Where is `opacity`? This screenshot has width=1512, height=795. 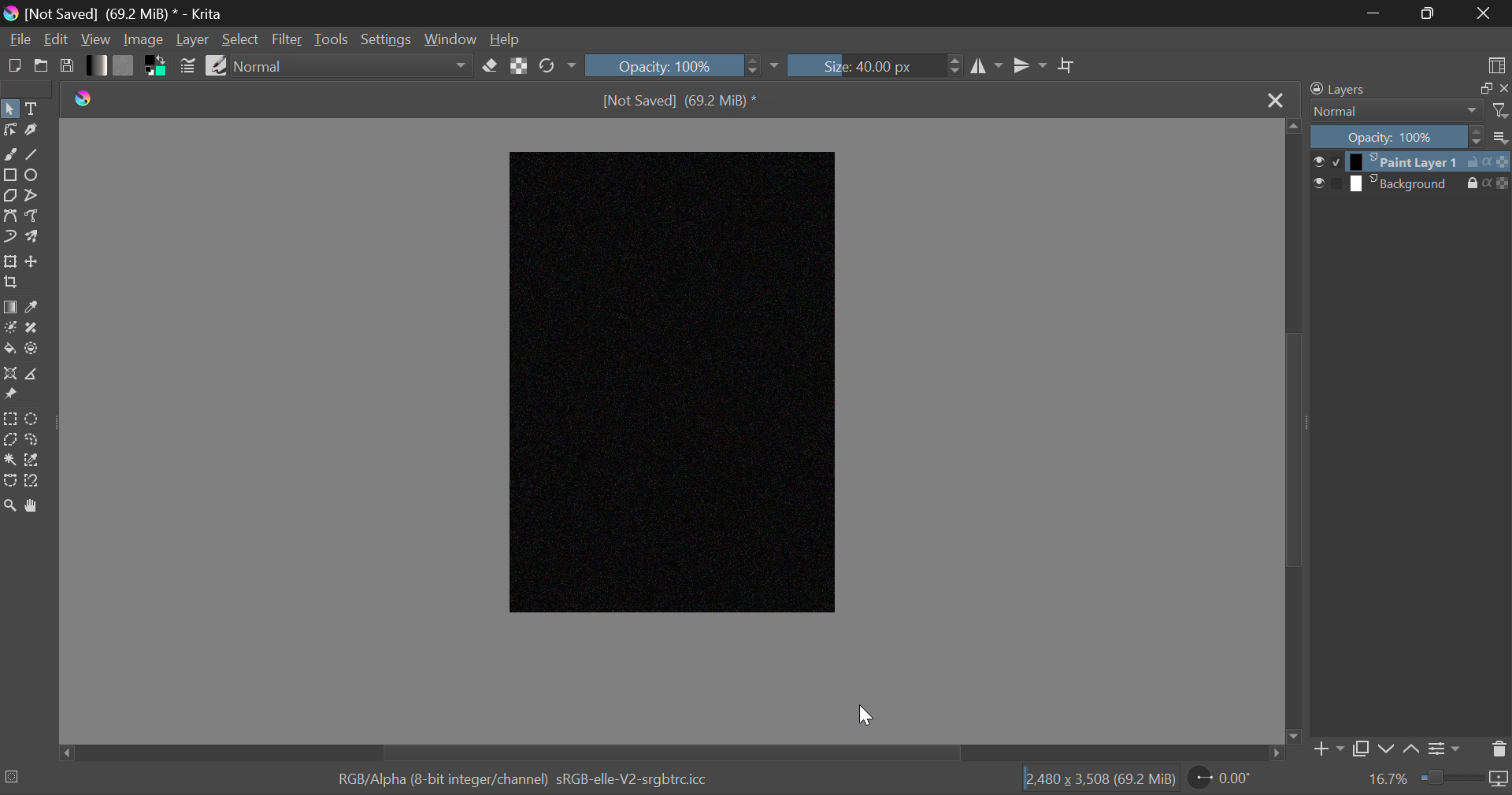 opacity is located at coordinates (1503, 162).